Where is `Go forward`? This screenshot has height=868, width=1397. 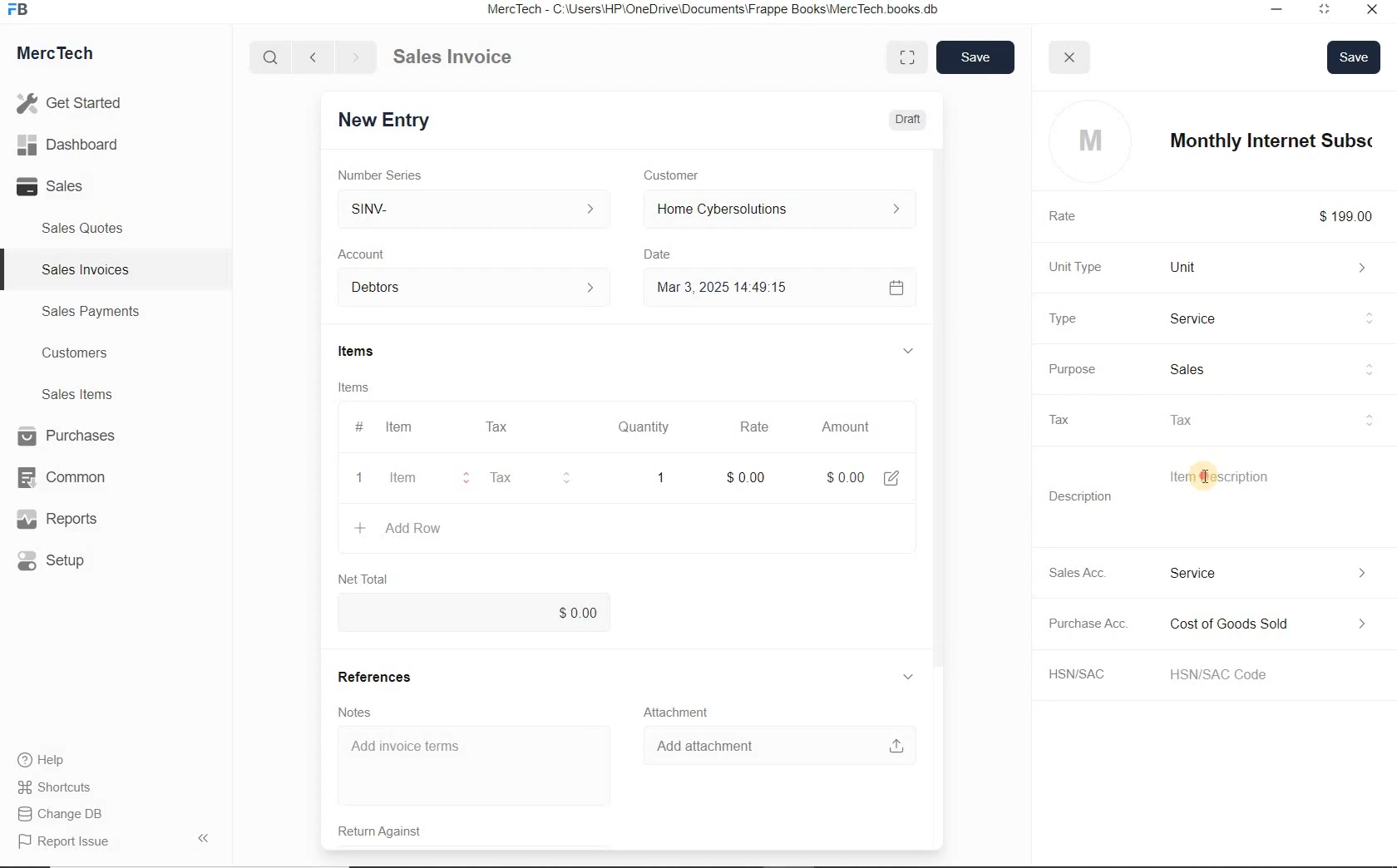 Go forward is located at coordinates (355, 57).